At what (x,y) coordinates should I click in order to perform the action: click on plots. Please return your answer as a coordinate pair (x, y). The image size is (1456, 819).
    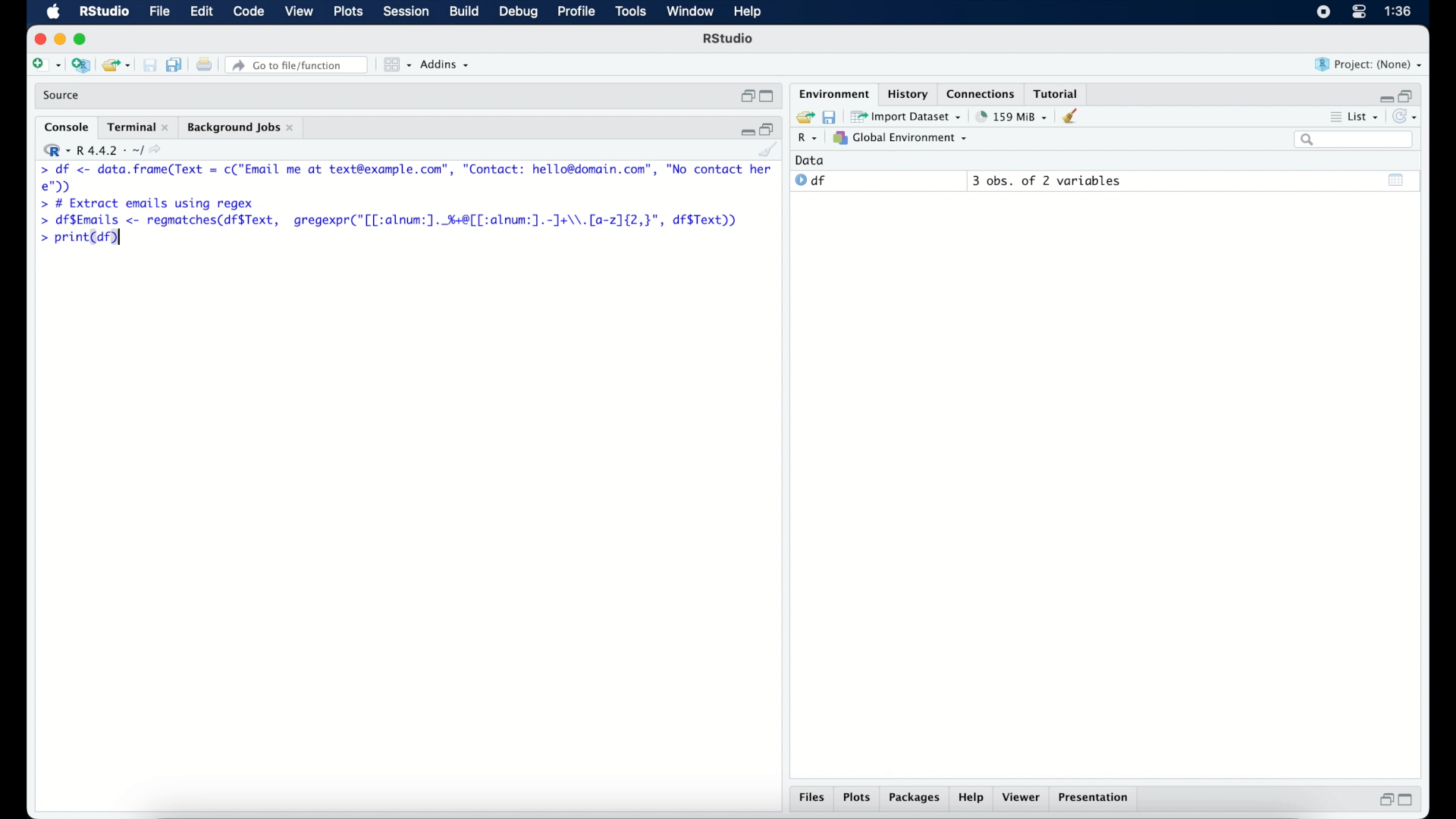
    Looking at the image, I should click on (857, 797).